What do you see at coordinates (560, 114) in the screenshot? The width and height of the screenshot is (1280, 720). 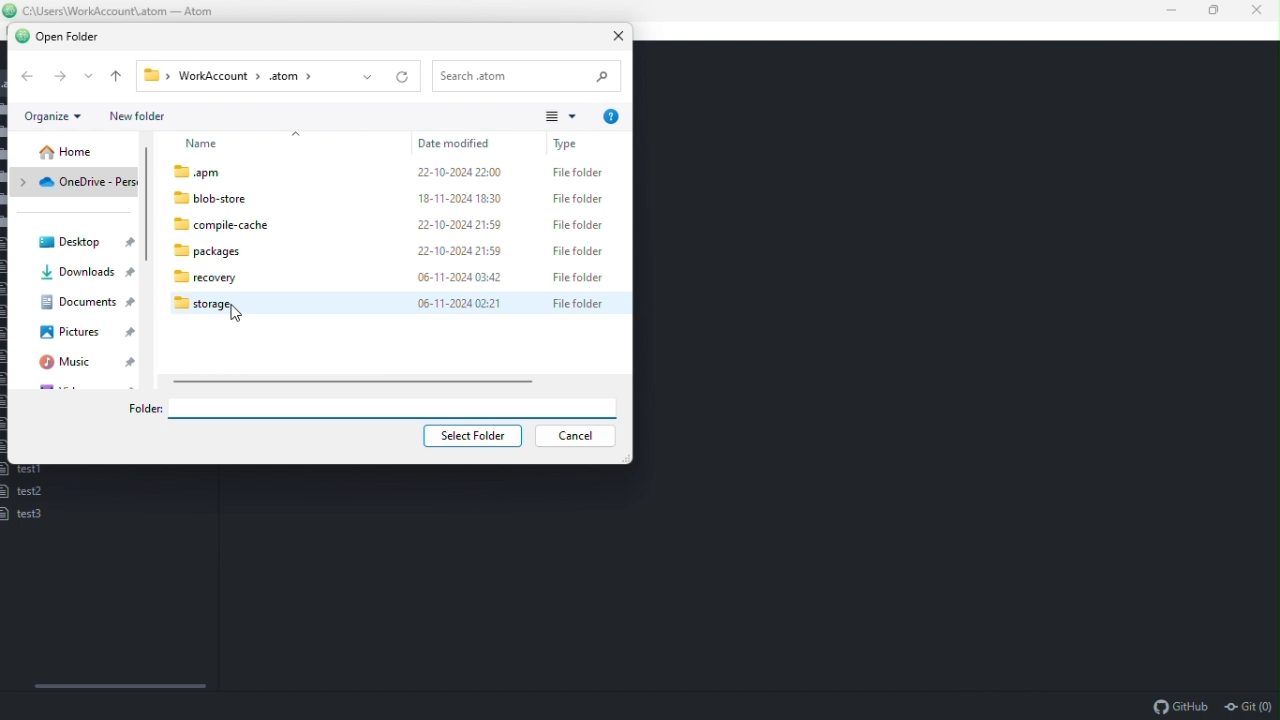 I see `View` at bounding box center [560, 114].